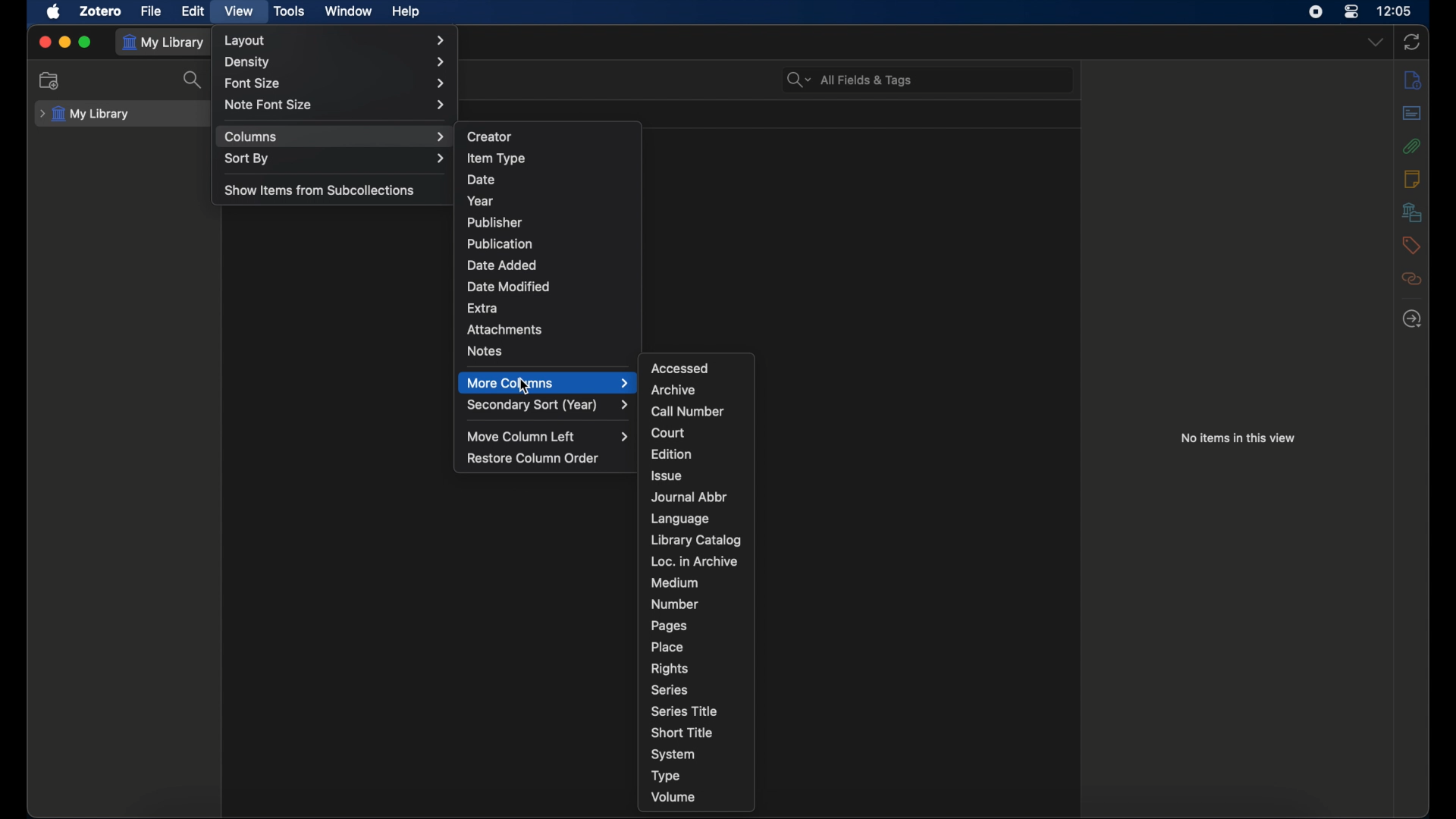  What do you see at coordinates (483, 307) in the screenshot?
I see `extra` at bounding box center [483, 307].